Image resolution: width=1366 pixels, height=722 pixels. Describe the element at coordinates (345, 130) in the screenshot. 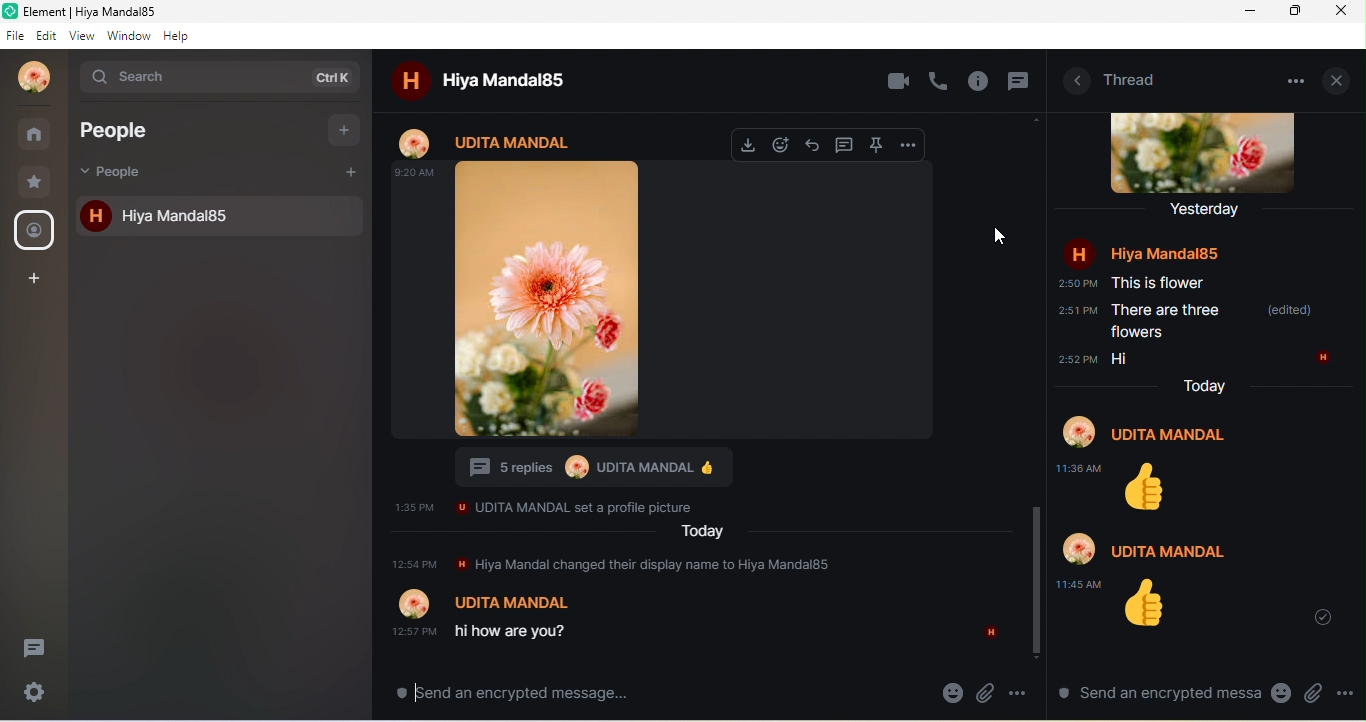

I see `add` at that location.